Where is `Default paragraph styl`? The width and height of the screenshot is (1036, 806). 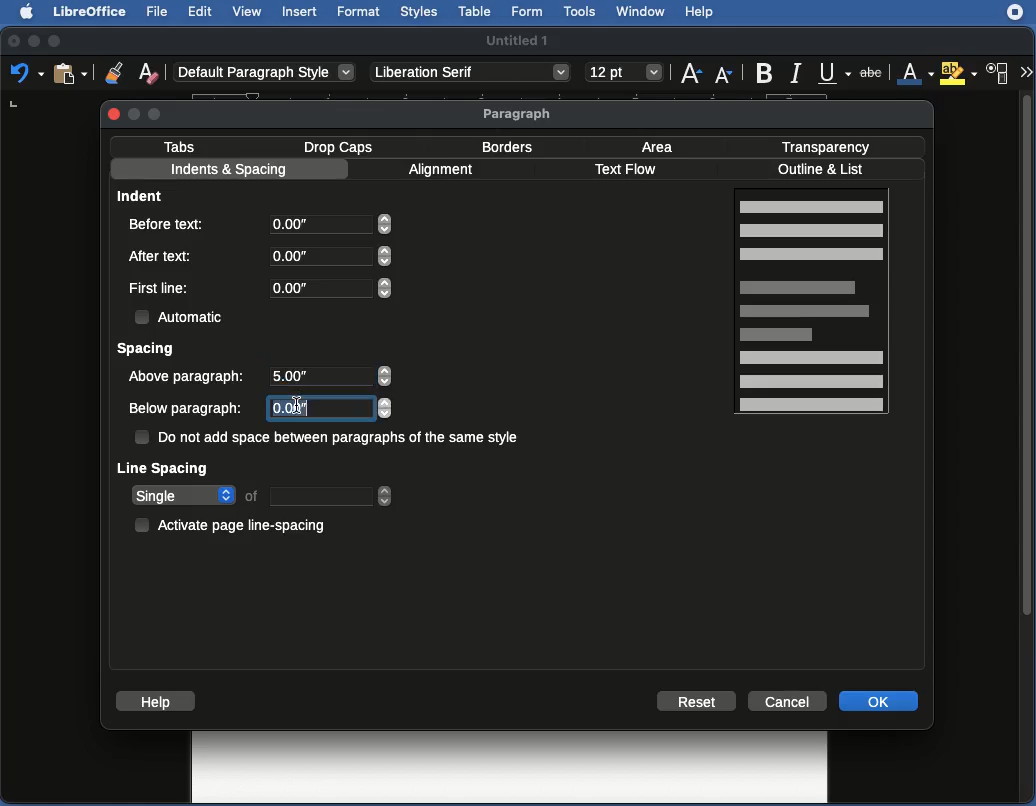
Default paragraph styl is located at coordinates (265, 73).